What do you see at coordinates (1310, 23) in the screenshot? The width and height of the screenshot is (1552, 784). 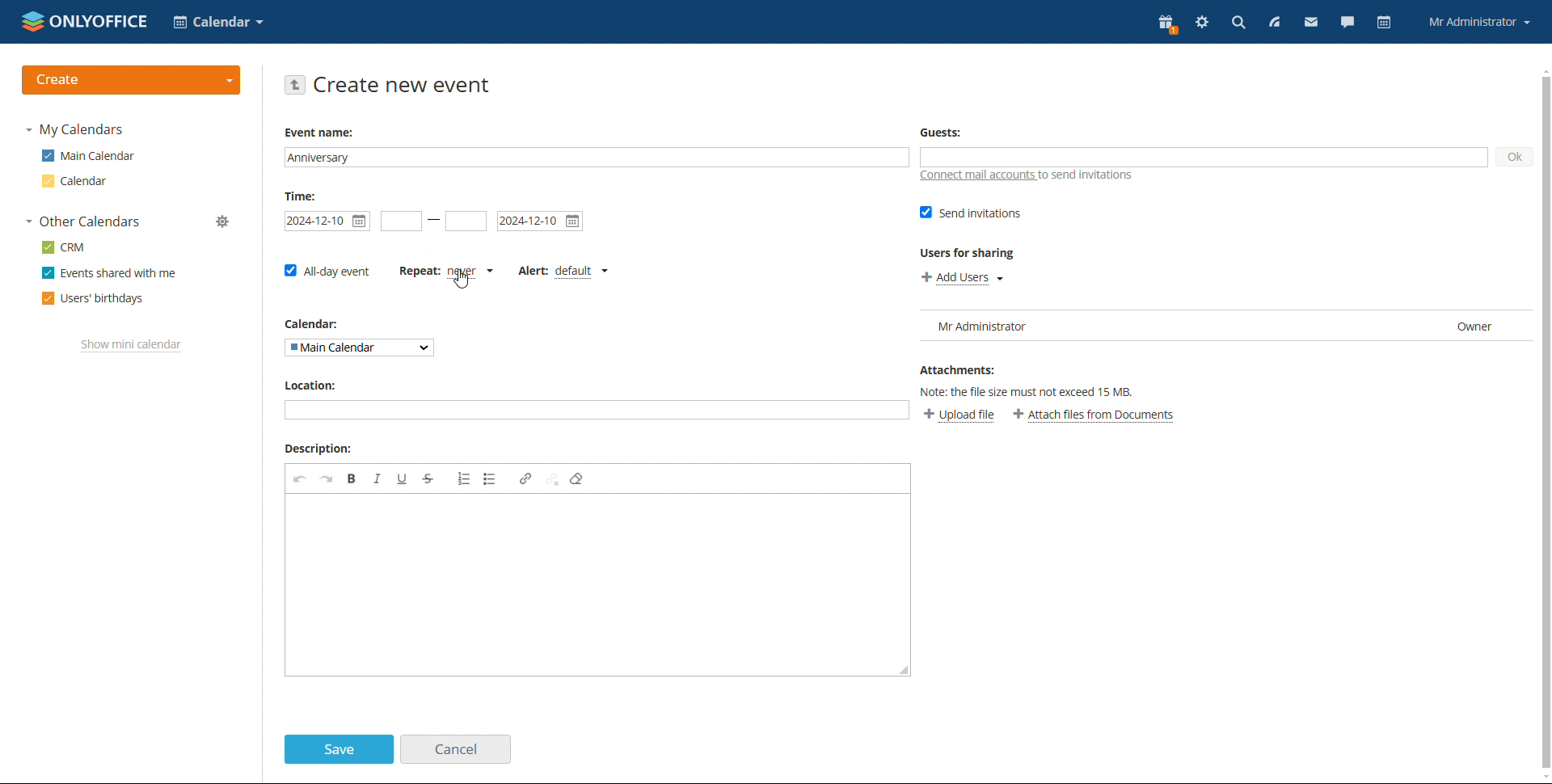 I see `mail` at bounding box center [1310, 23].